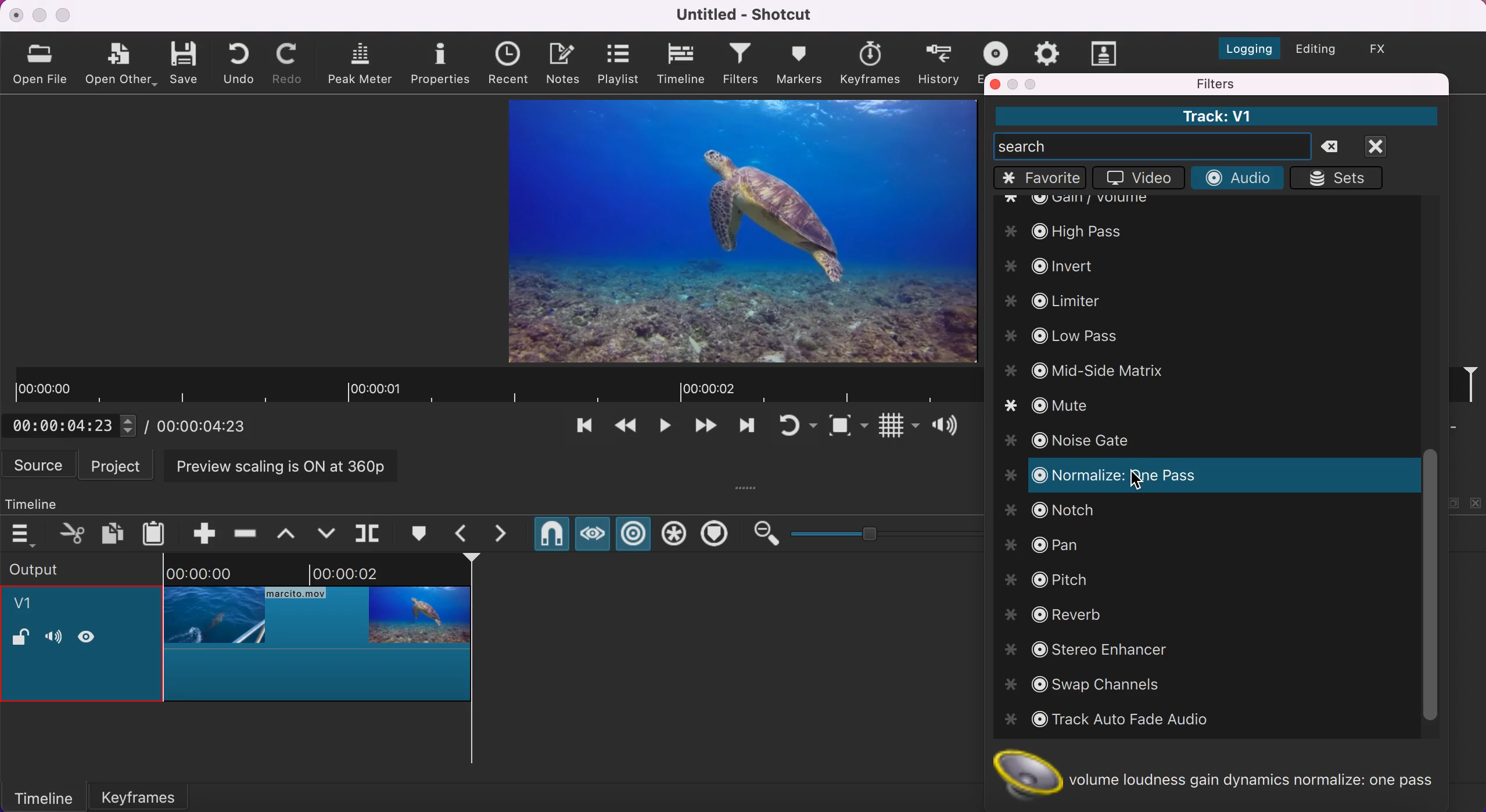  What do you see at coordinates (44, 501) in the screenshot?
I see `timeline` at bounding box center [44, 501].